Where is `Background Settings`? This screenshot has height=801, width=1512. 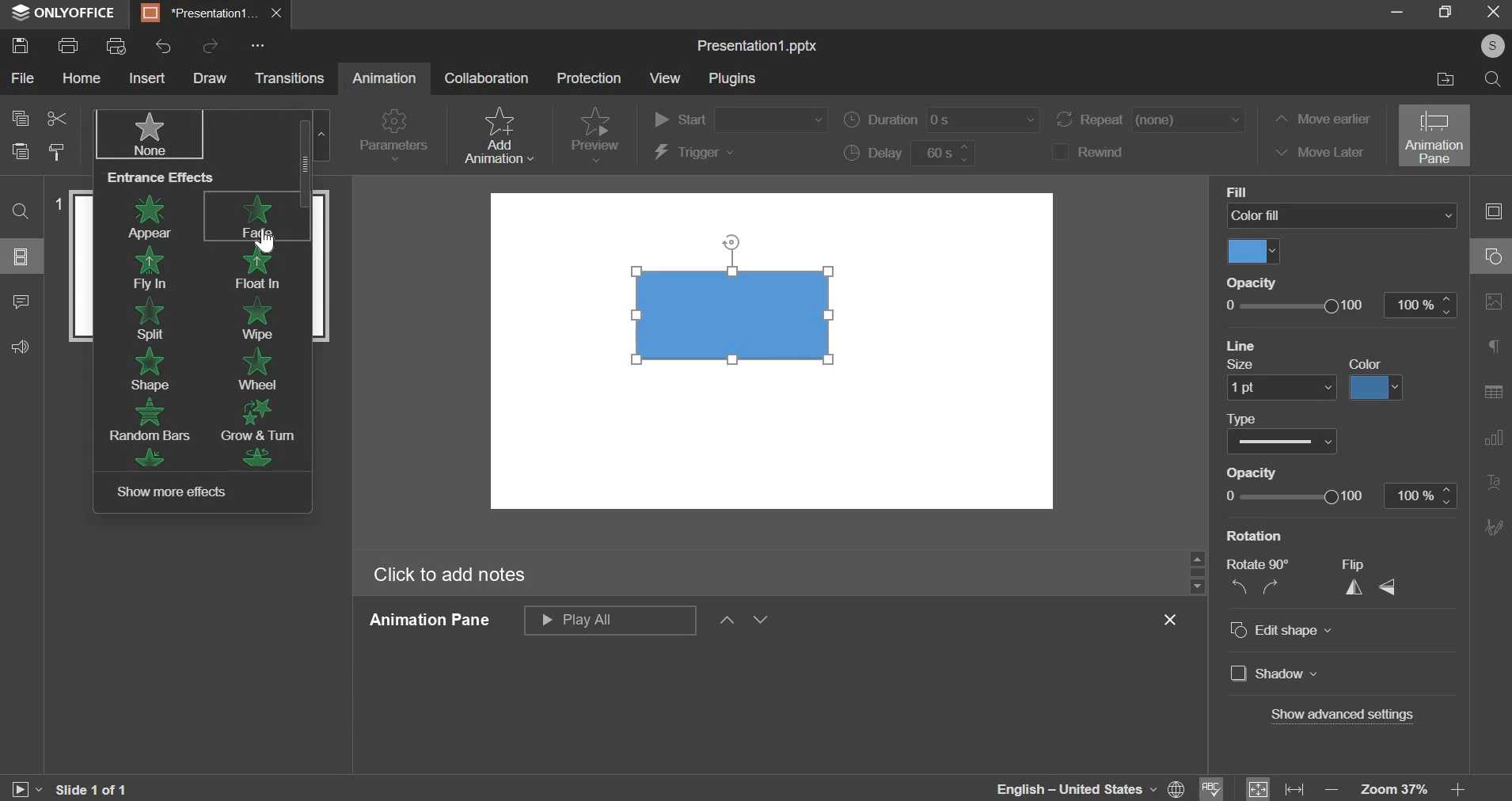
Background Settings is located at coordinates (1493, 301).